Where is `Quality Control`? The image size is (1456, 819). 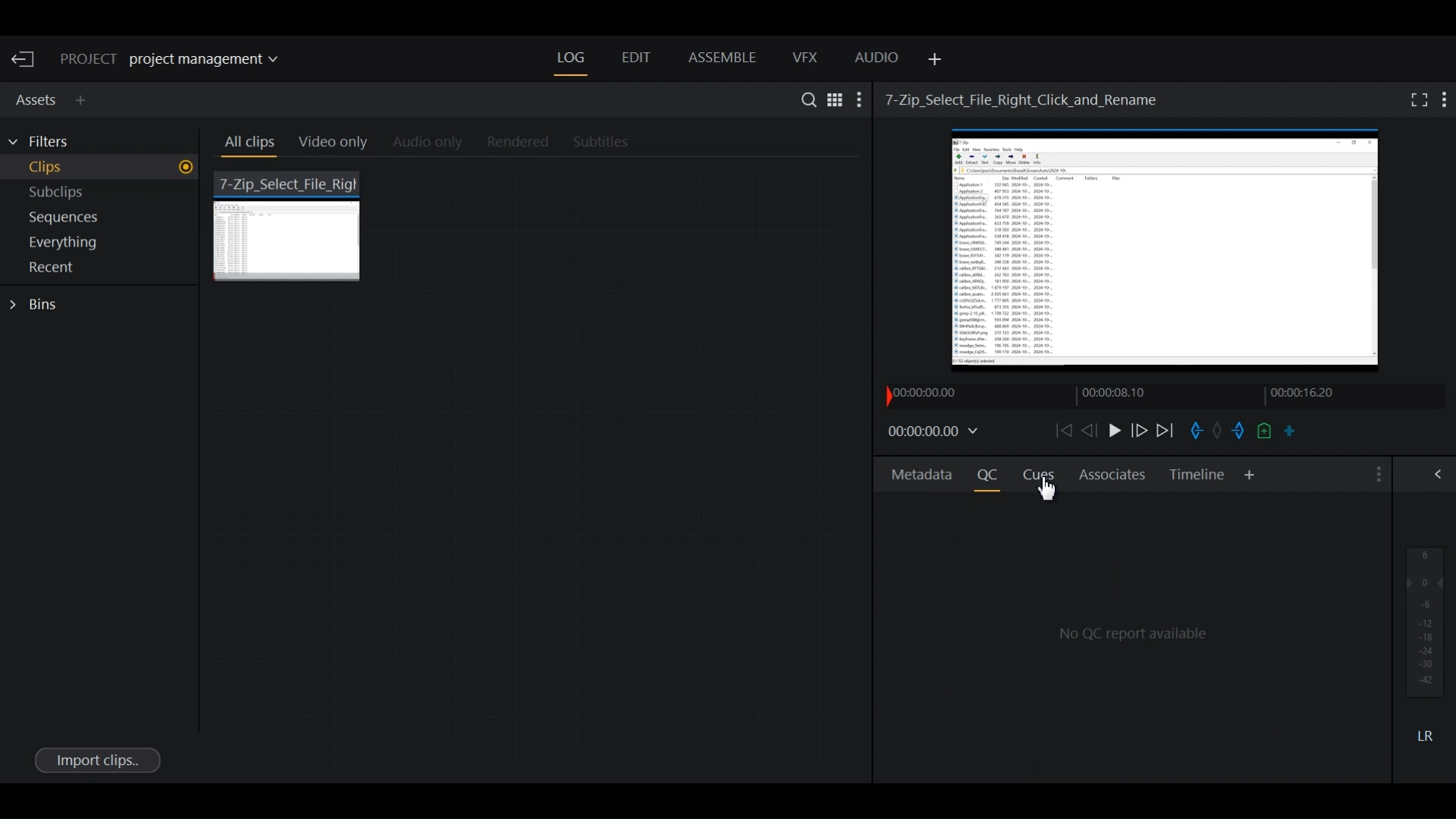 Quality Control is located at coordinates (984, 474).